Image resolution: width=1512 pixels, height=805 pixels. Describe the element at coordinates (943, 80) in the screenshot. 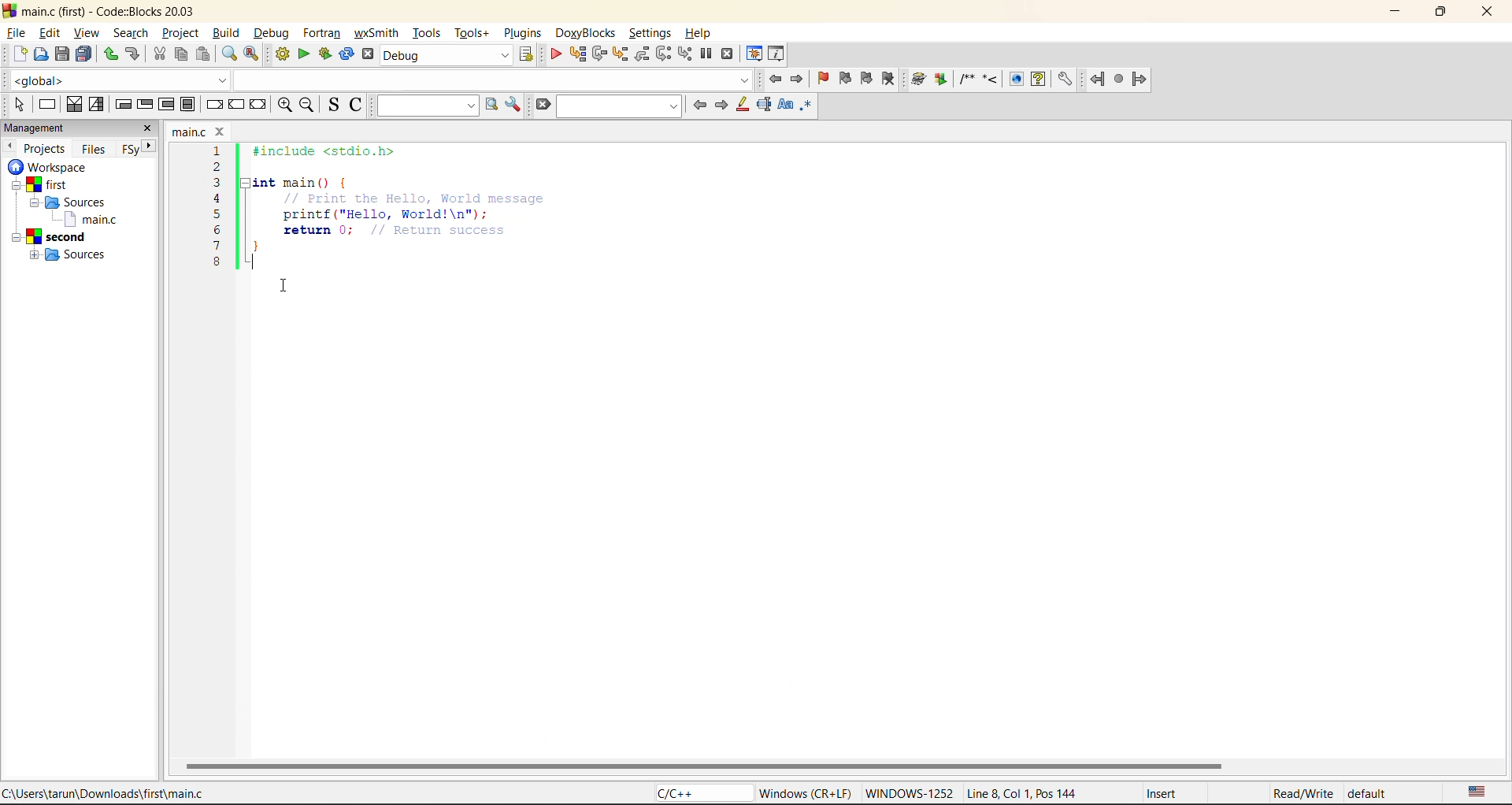

I see `Extract` at that location.